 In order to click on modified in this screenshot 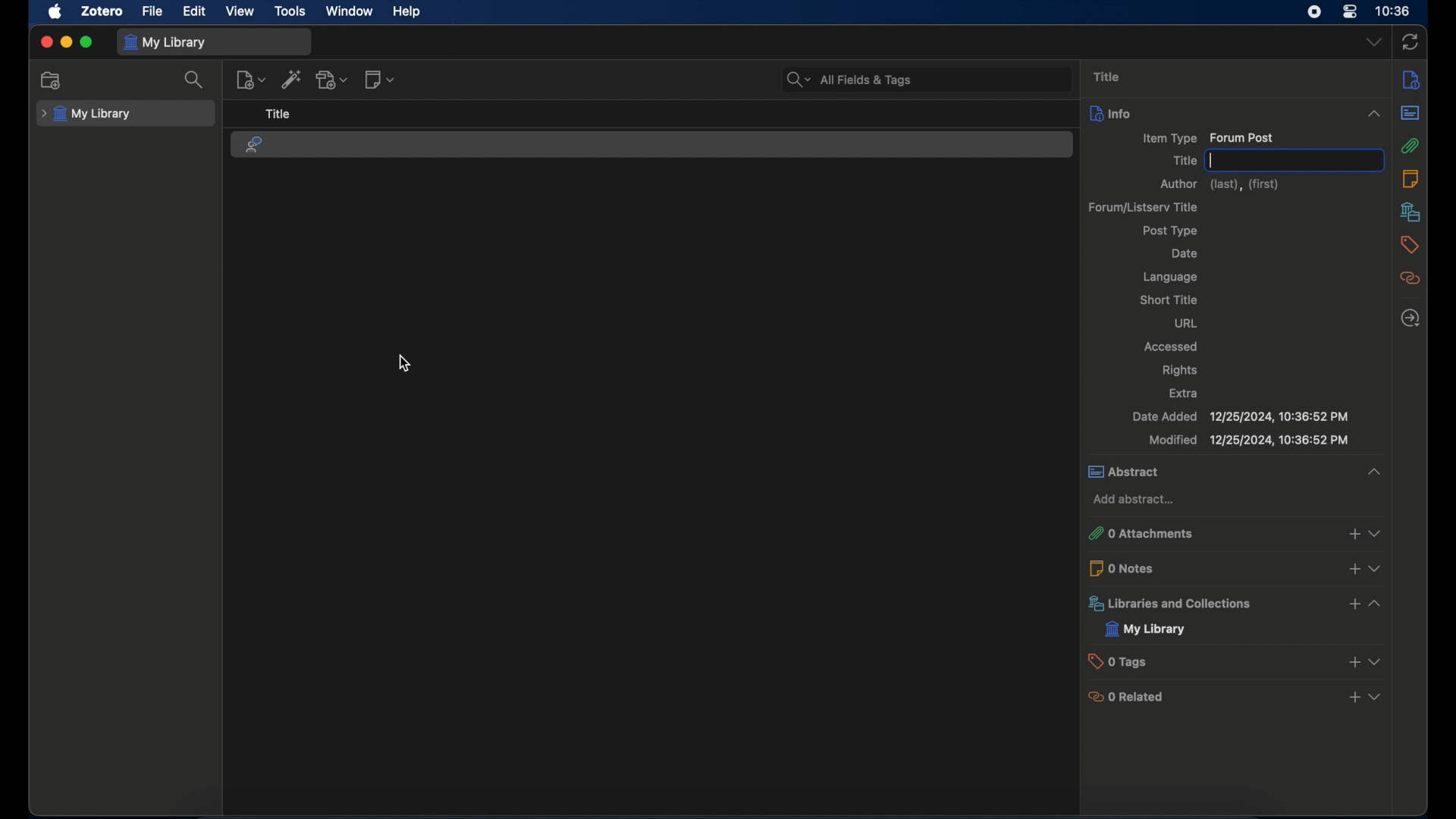, I will do `click(1247, 440)`.